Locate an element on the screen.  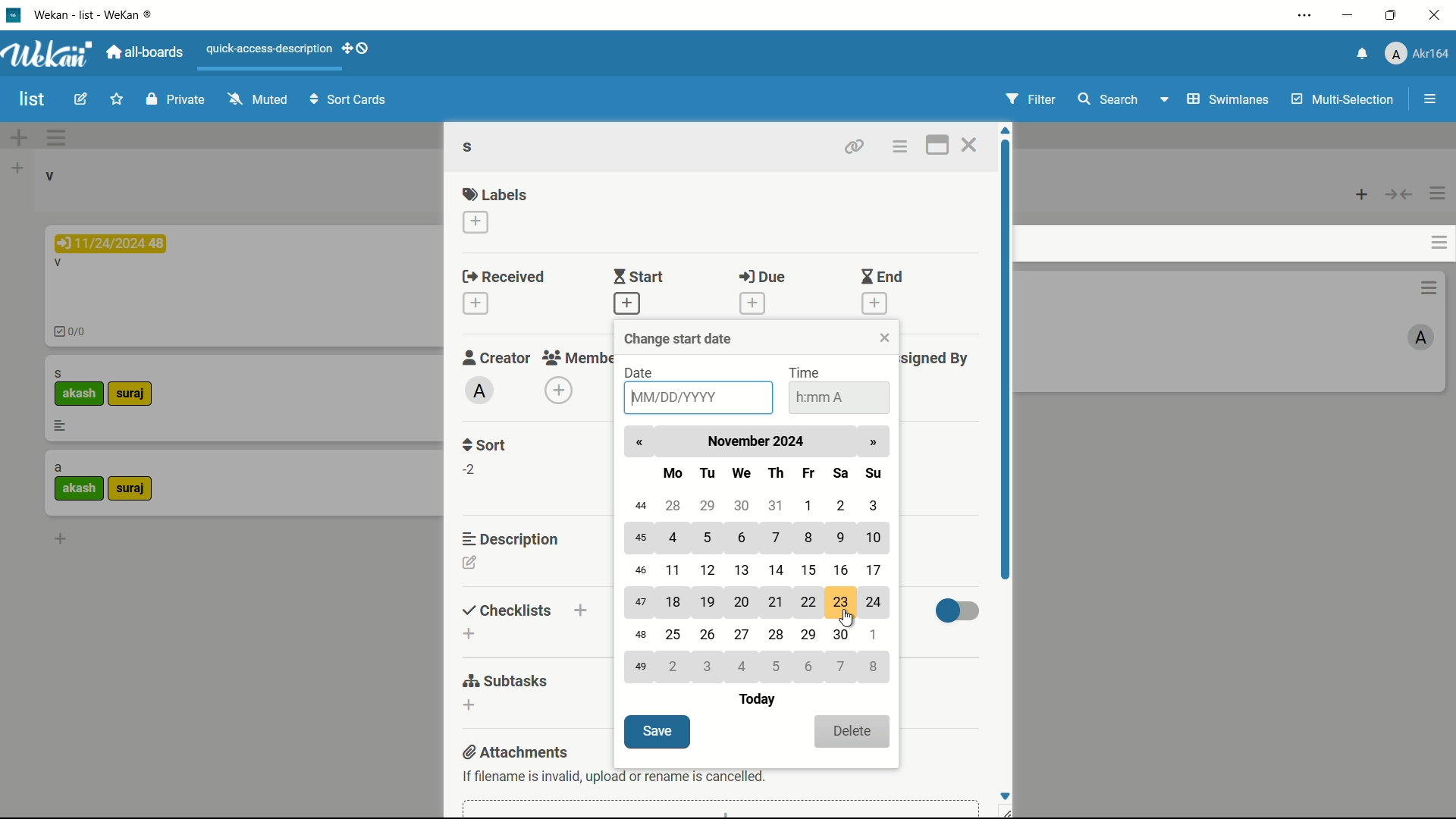
list name is located at coordinates (49, 176).